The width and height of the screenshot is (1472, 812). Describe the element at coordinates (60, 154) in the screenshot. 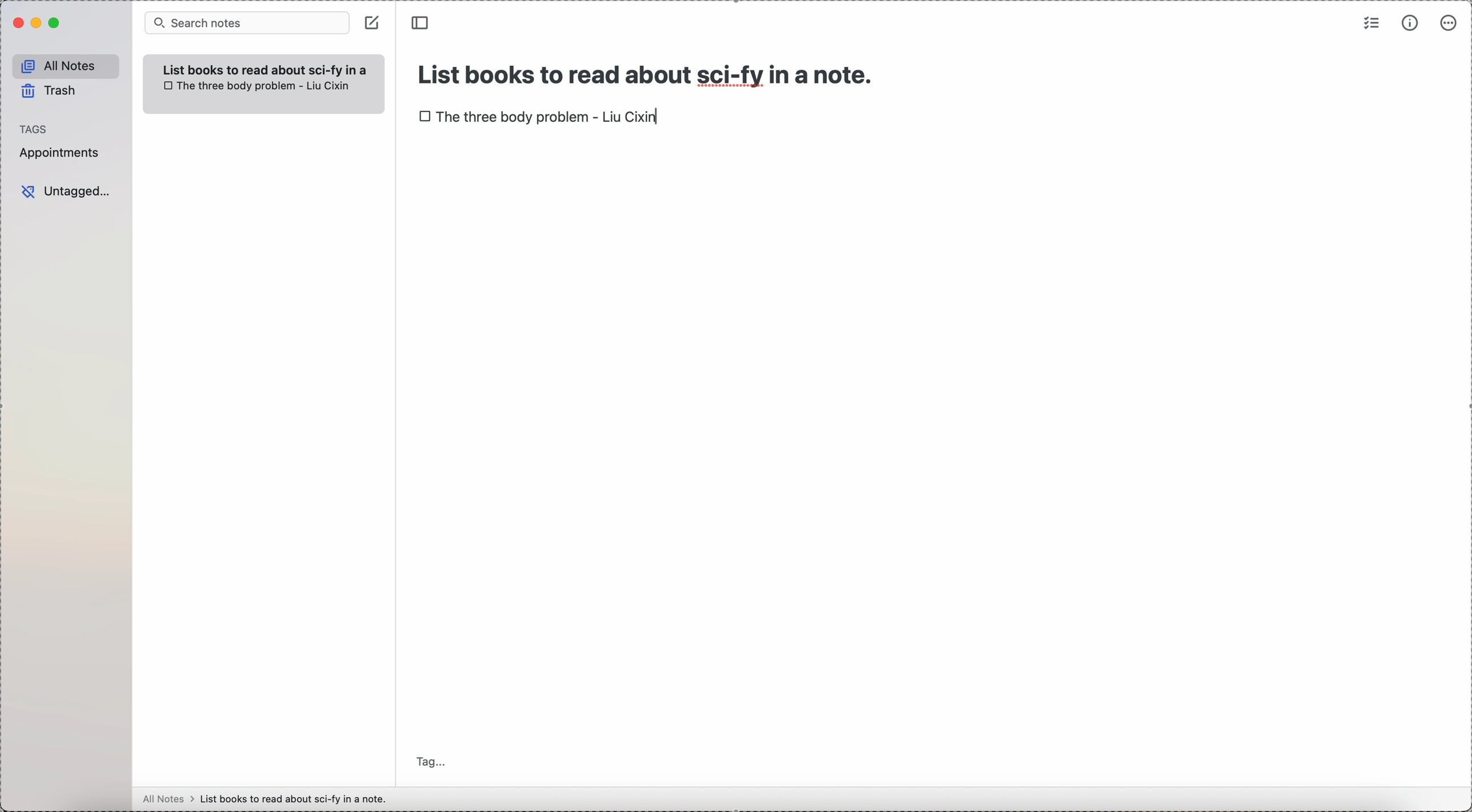

I see `appointments tag` at that location.